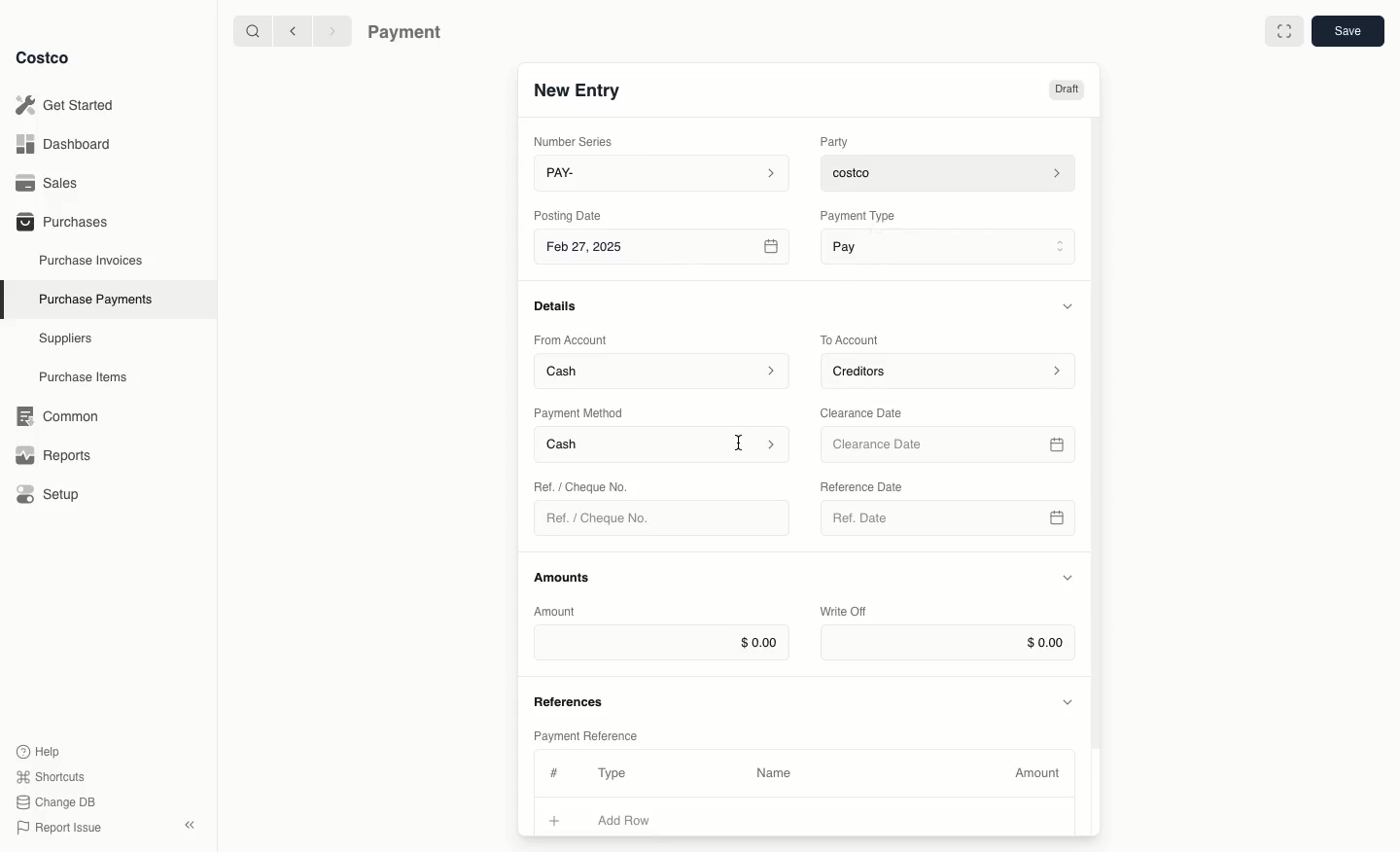 The height and width of the screenshot is (852, 1400). Describe the element at coordinates (94, 298) in the screenshot. I see `Purchase Payments` at that location.